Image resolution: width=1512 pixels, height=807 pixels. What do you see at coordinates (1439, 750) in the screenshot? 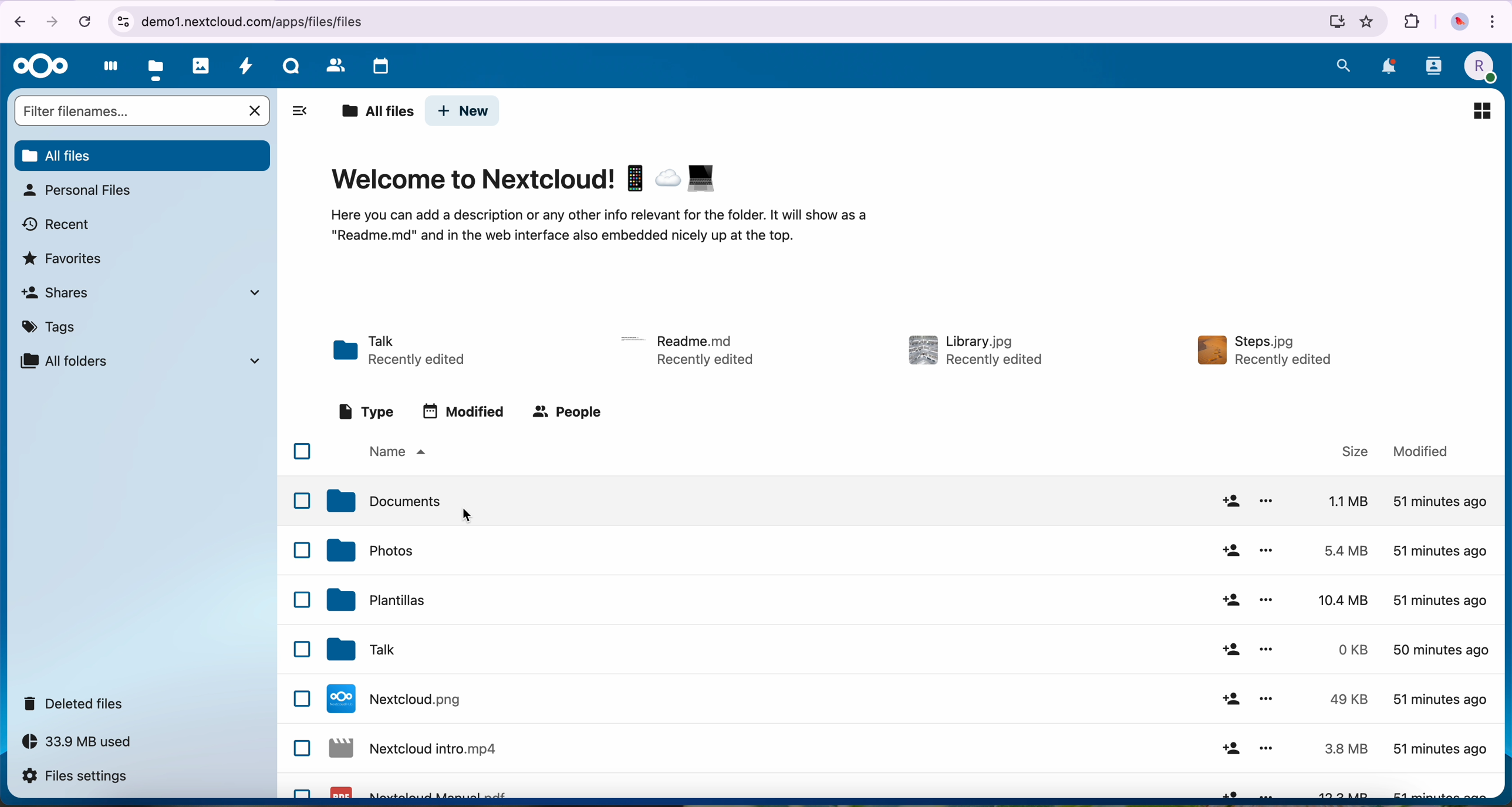
I see `modified` at bounding box center [1439, 750].